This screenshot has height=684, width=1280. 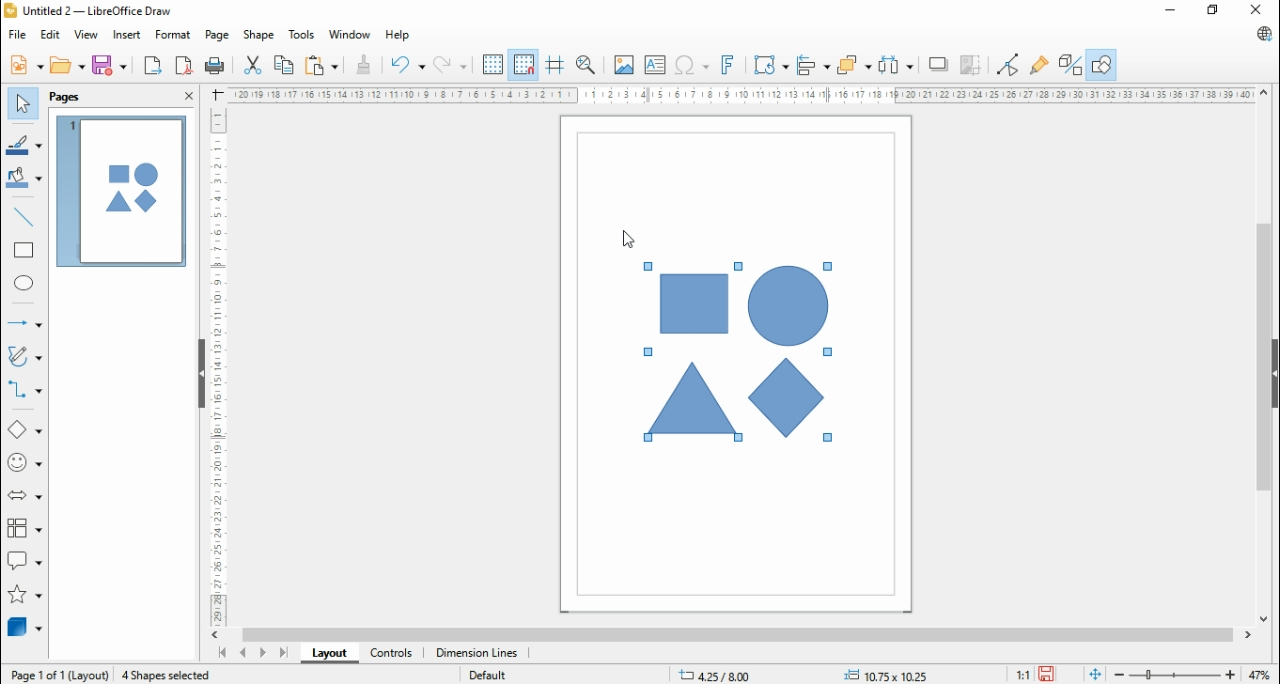 I want to click on restore, so click(x=1213, y=10).